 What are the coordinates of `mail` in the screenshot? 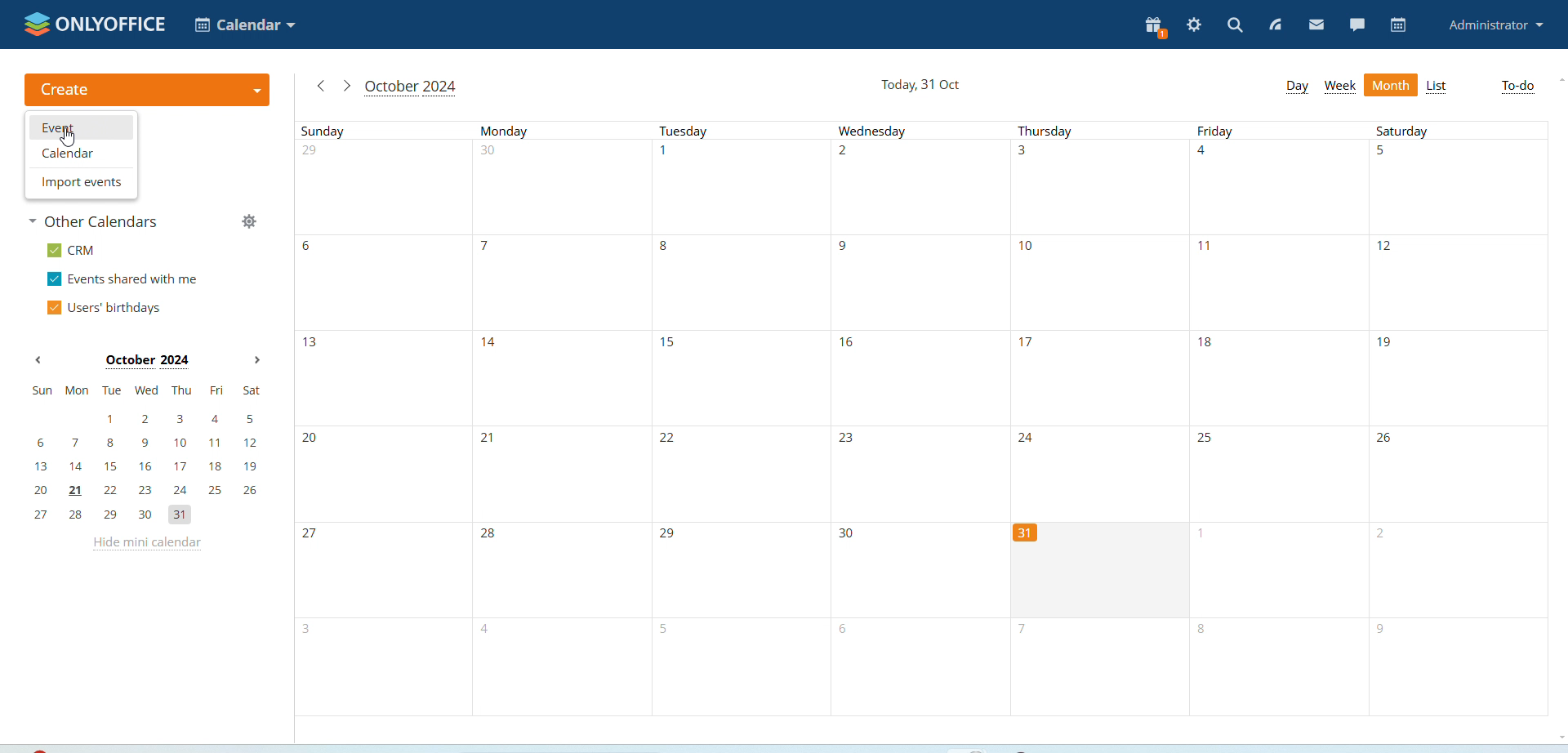 It's located at (1317, 25).